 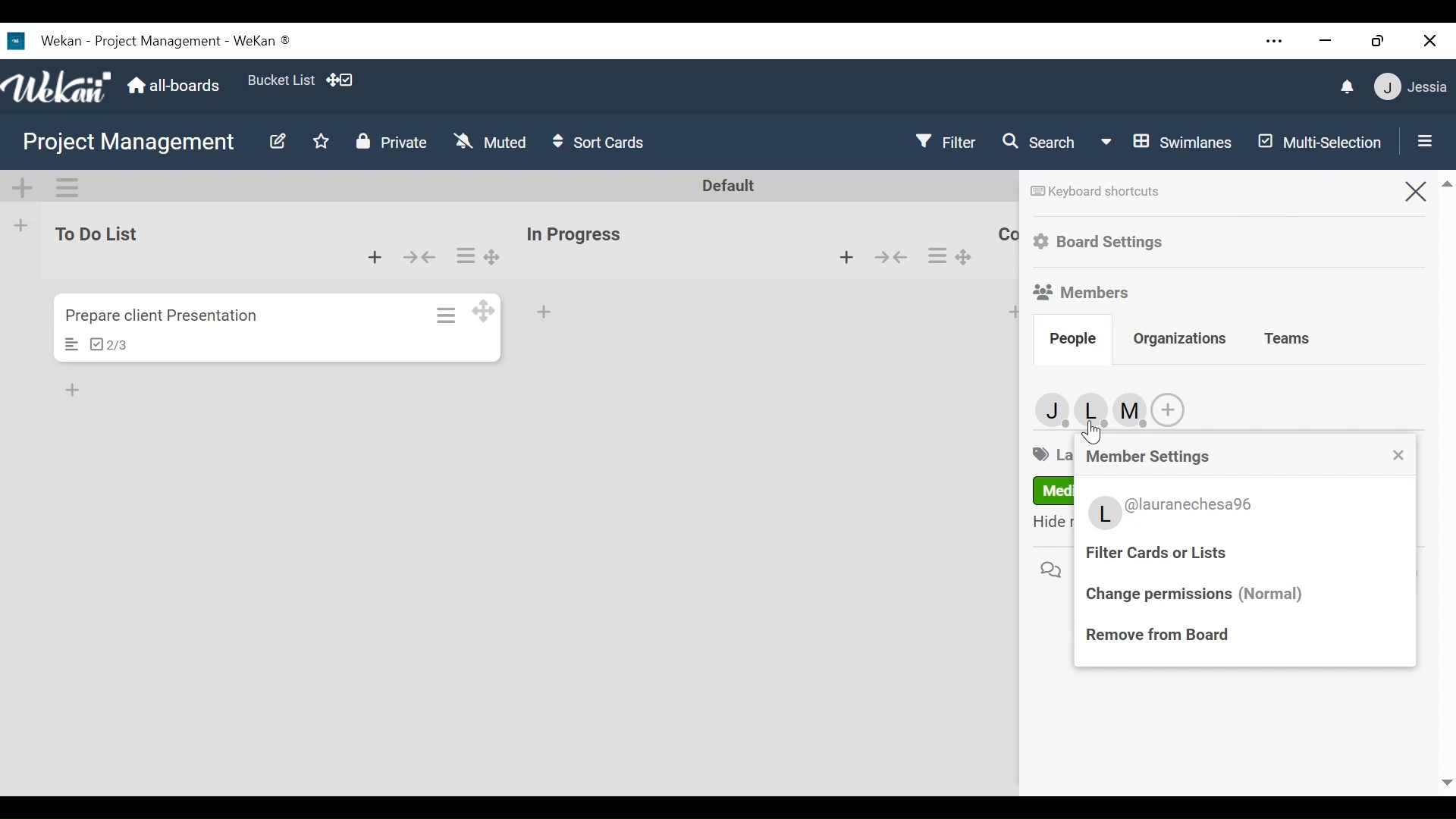 What do you see at coordinates (968, 257) in the screenshot?
I see `Desktop drag handle` at bounding box center [968, 257].